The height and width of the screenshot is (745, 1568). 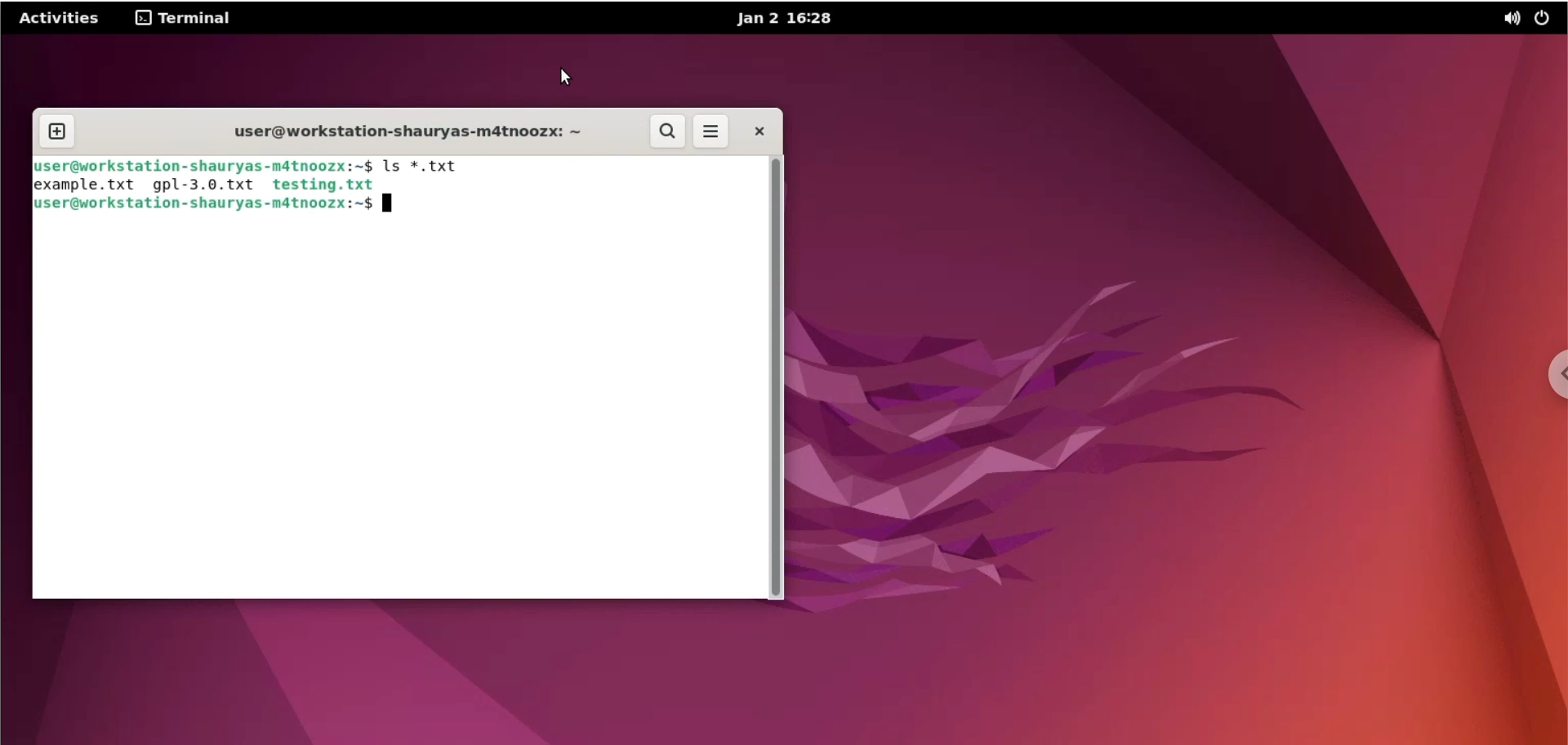 I want to click on cursor, so click(x=572, y=78).